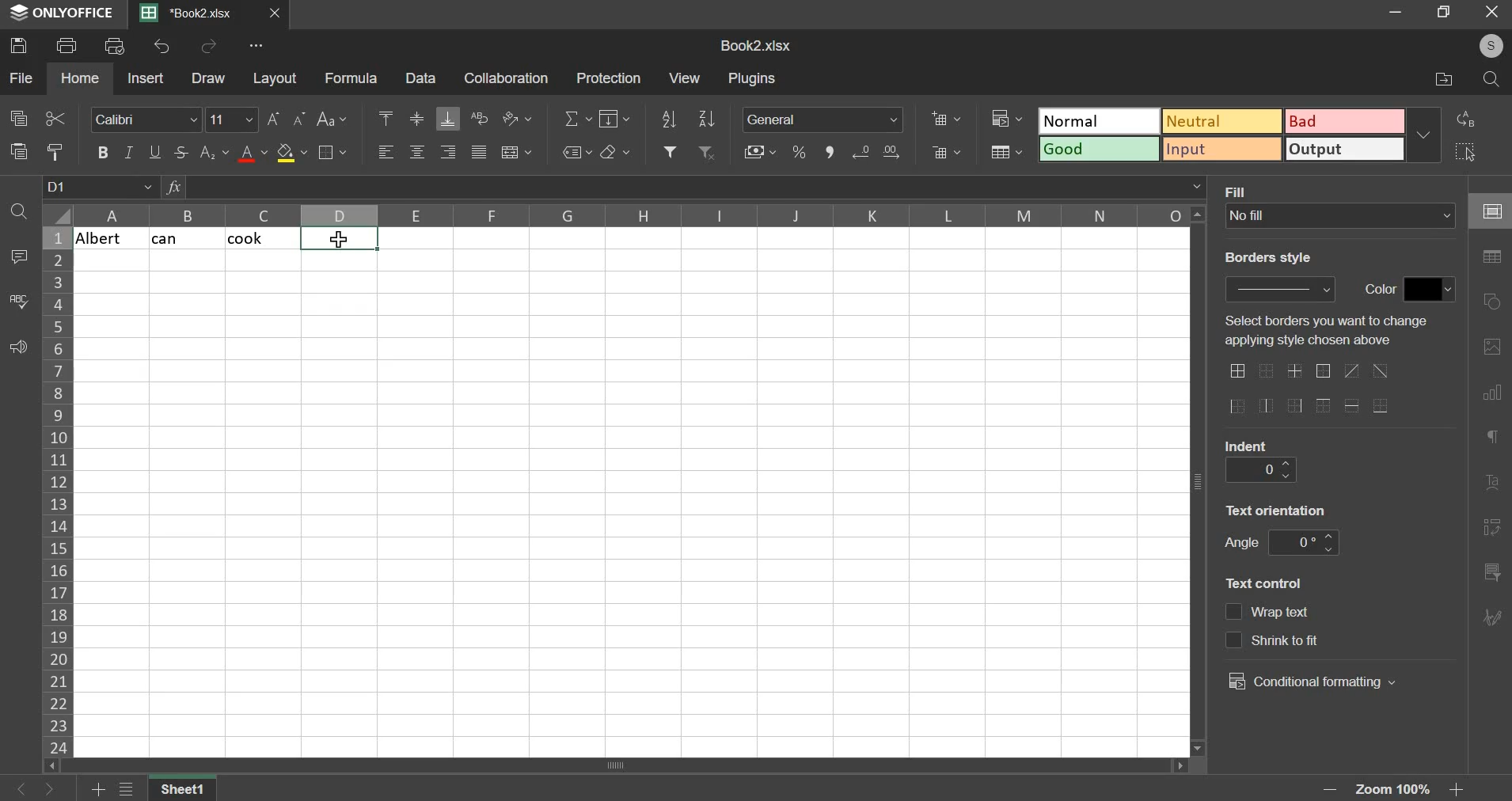 This screenshot has width=1512, height=801. Describe the element at coordinates (576, 152) in the screenshot. I see `named ranges` at that location.